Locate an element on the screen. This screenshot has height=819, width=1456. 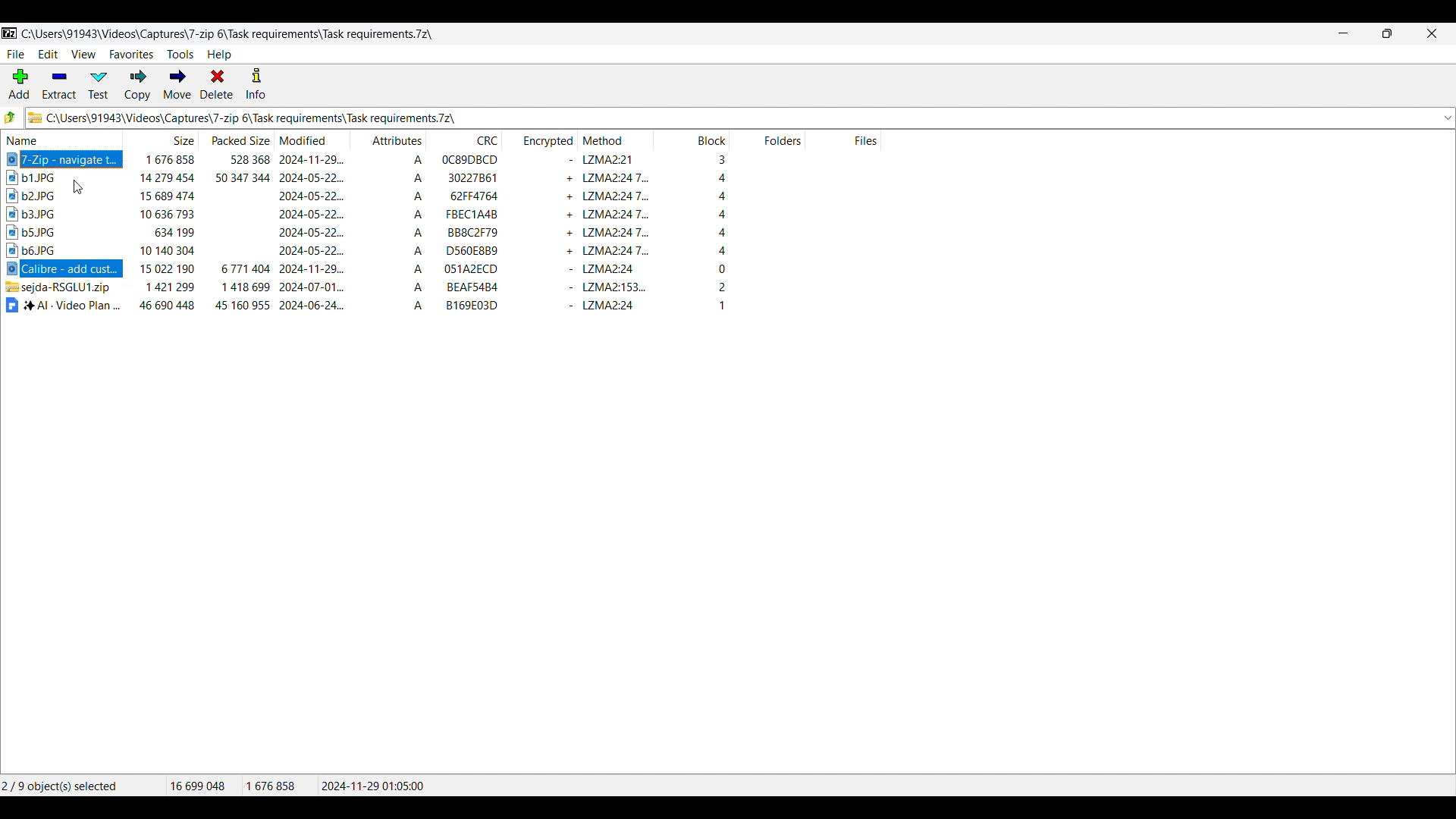
Delete is located at coordinates (217, 83).